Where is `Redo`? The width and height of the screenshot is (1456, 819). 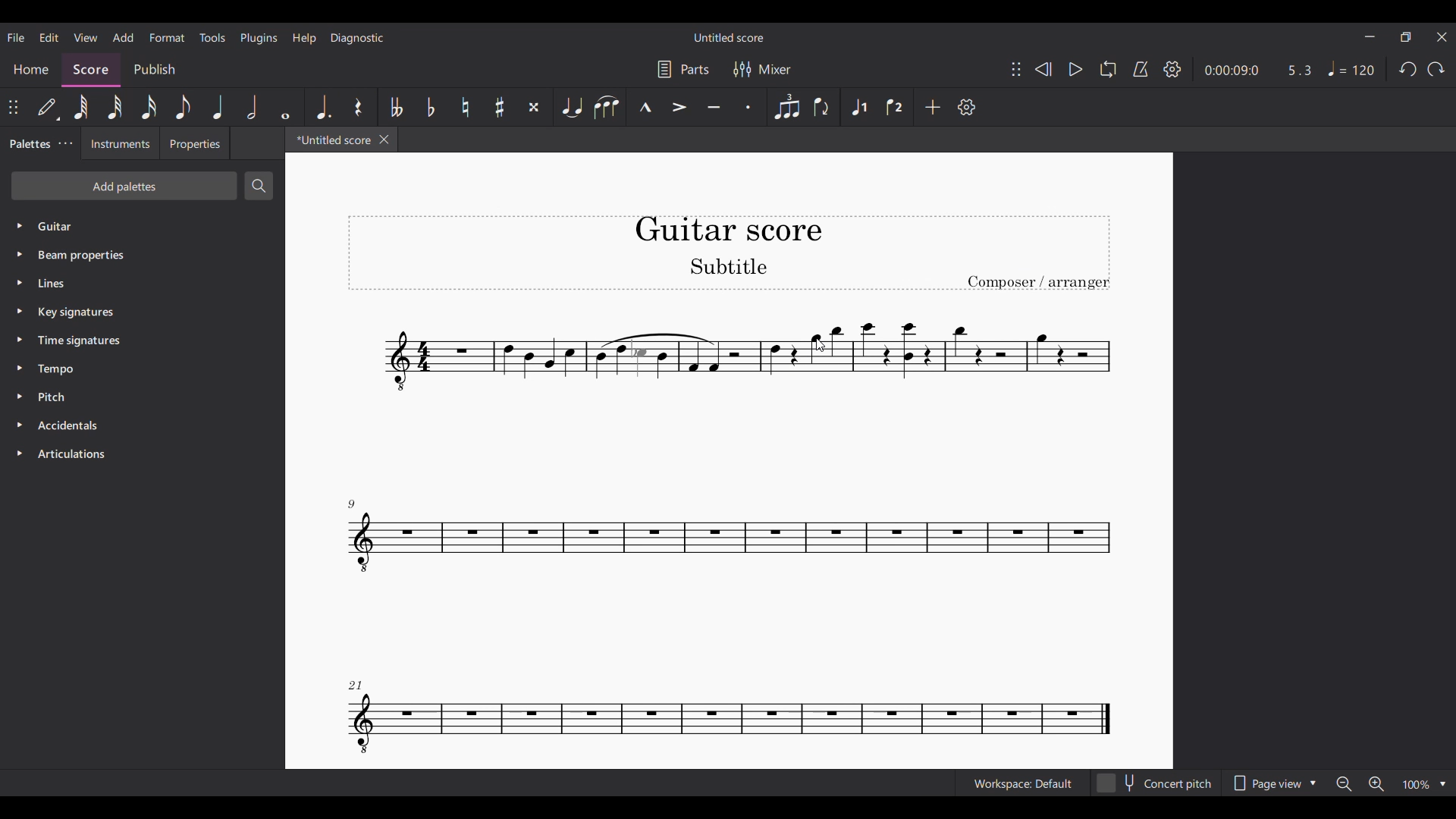 Redo is located at coordinates (1436, 69).